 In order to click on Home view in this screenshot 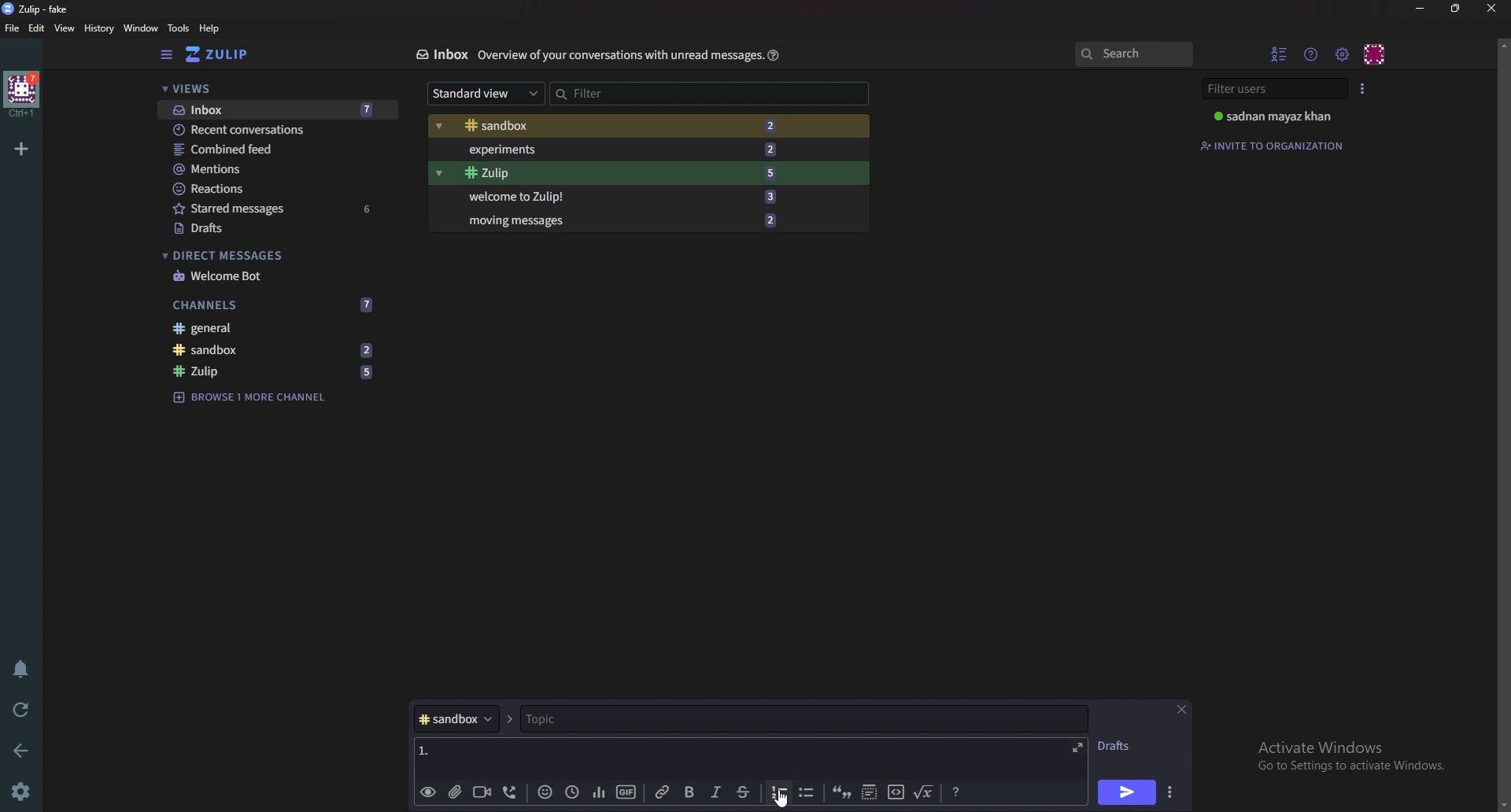, I will do `click(228, 54)`.